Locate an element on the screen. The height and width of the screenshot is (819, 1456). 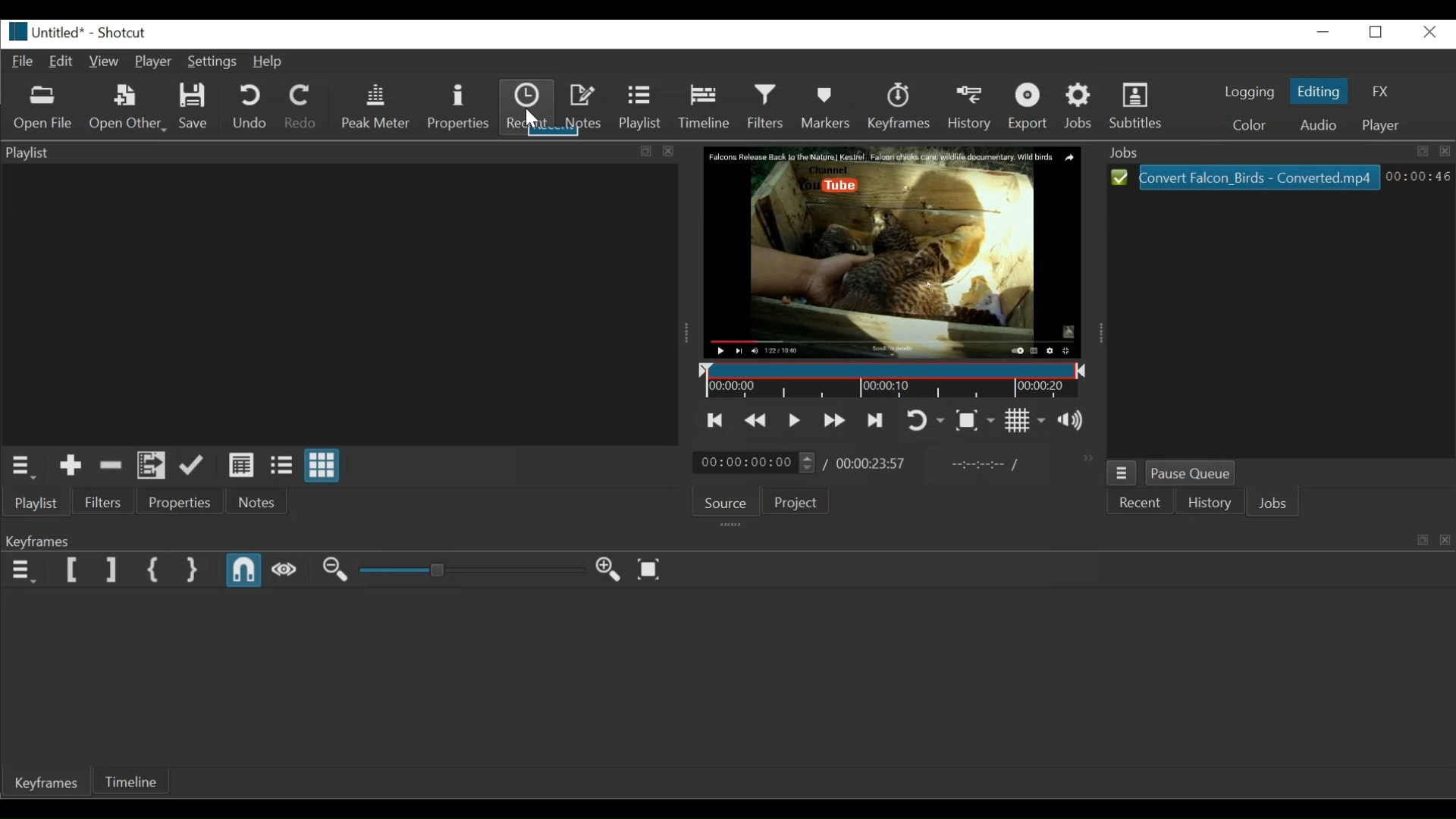
Recent is located at coordinates (1141, 503).